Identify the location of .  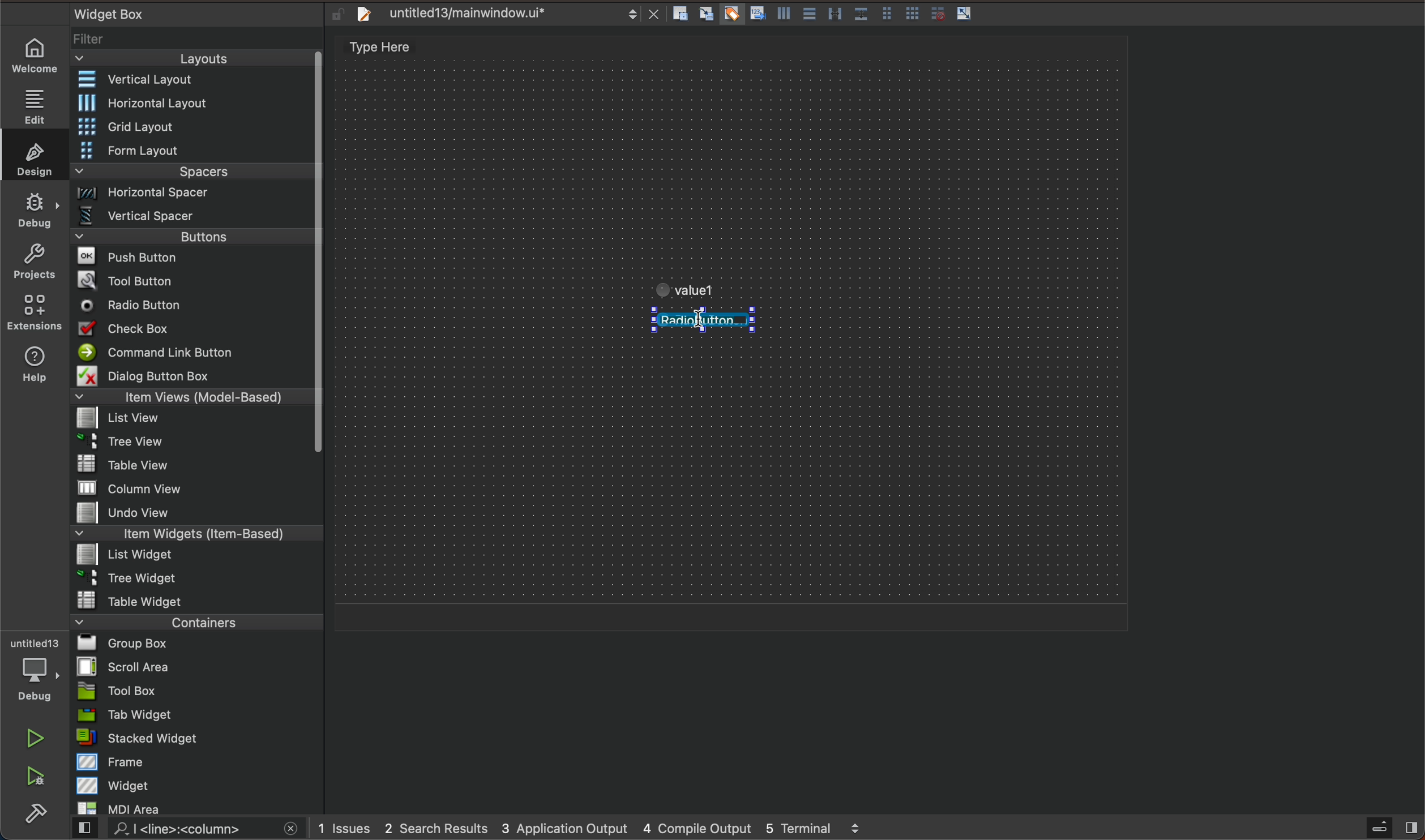
(965, 14).